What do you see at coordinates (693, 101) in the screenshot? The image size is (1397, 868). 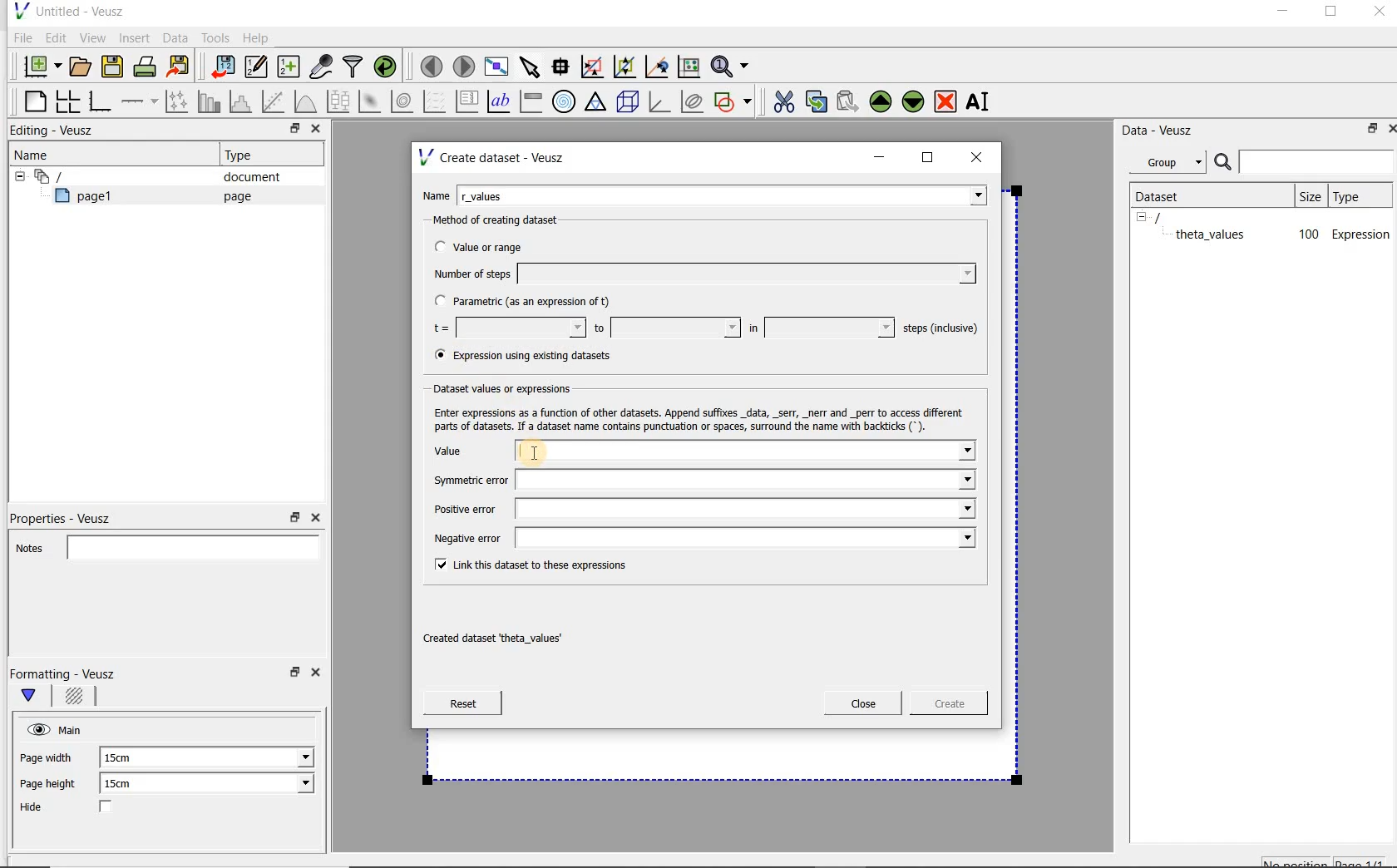 I see `plot covariance ellipses` at bounding box center [693, 101].